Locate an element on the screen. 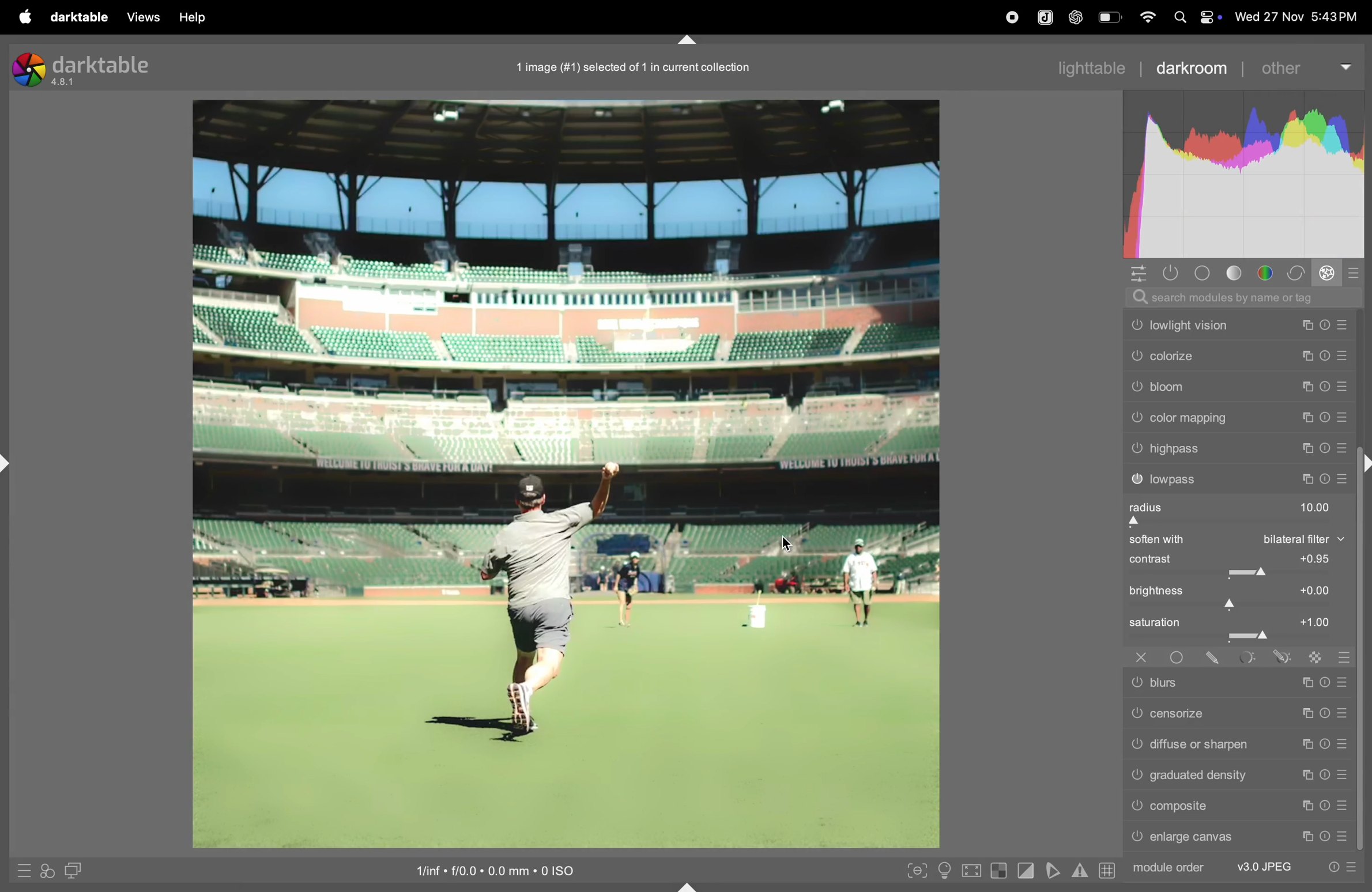 This screenshot has height=892, width=1372. toggle clipping indications is located at coordinates (1027, 870).